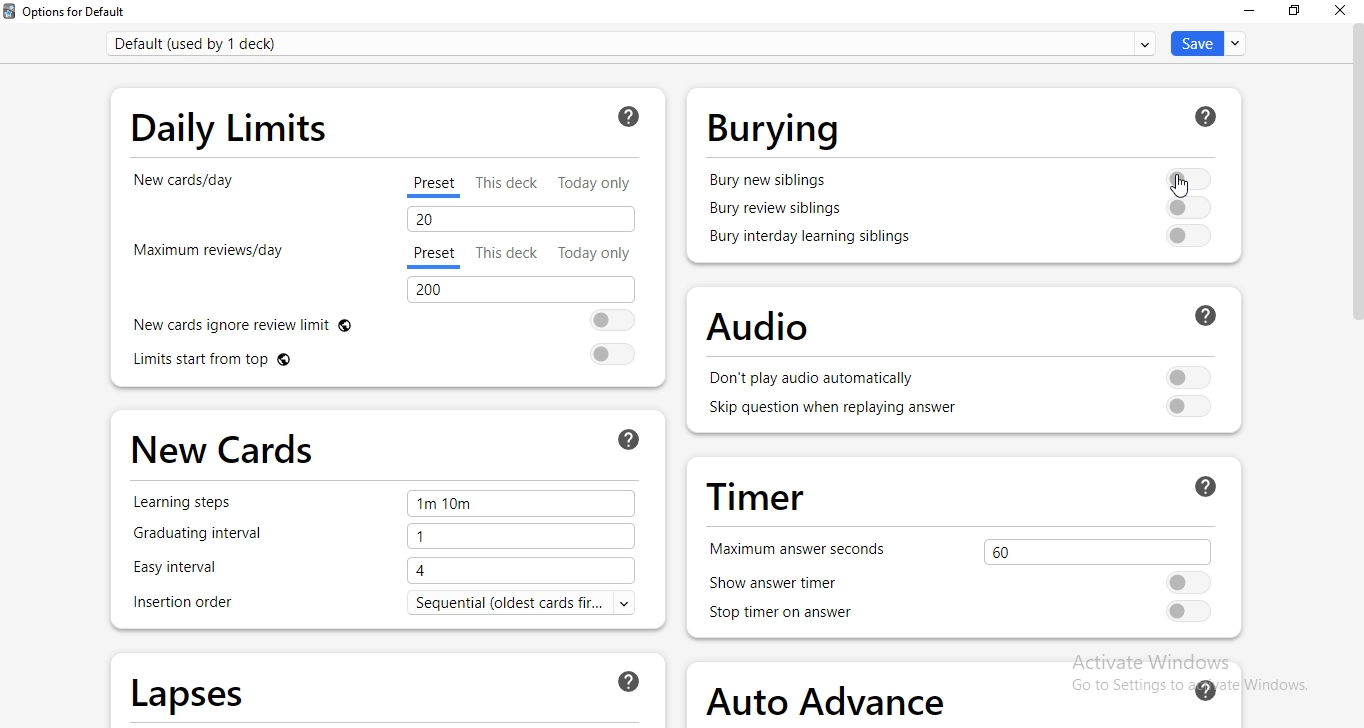 The image size is (1364, 728). What do you see at coordinates (235, 126) in the screenshot?
I see `daily limits` at bounding box center [235, 126].